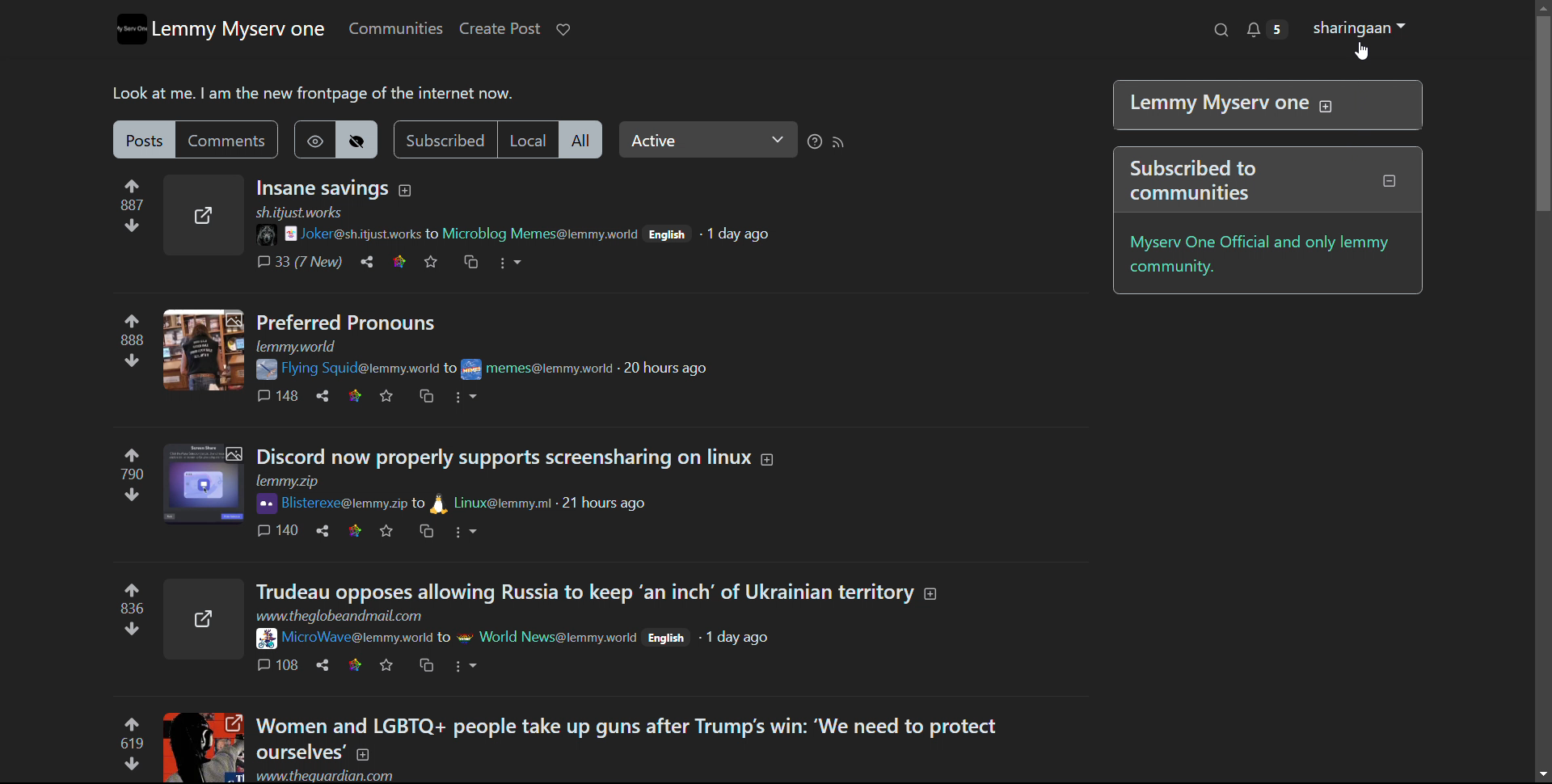 The image size is (1552, 784). What do you see at coordinates (483, 504) in the screenshot?
I see `to Linux@lemmy.ml` at bounding box center [483, 504].